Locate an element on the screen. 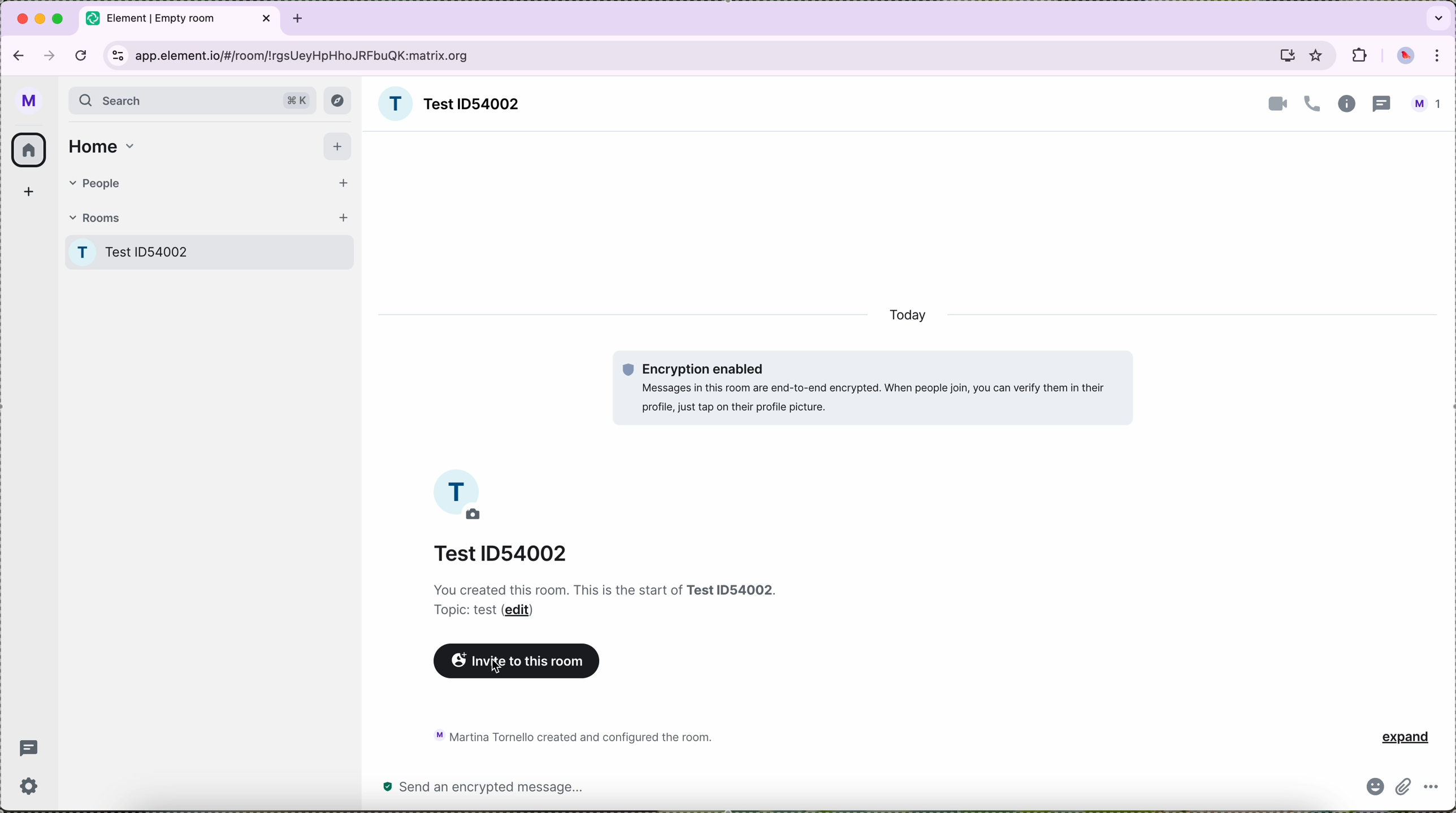  Test room is located at coordinates (212, 250).